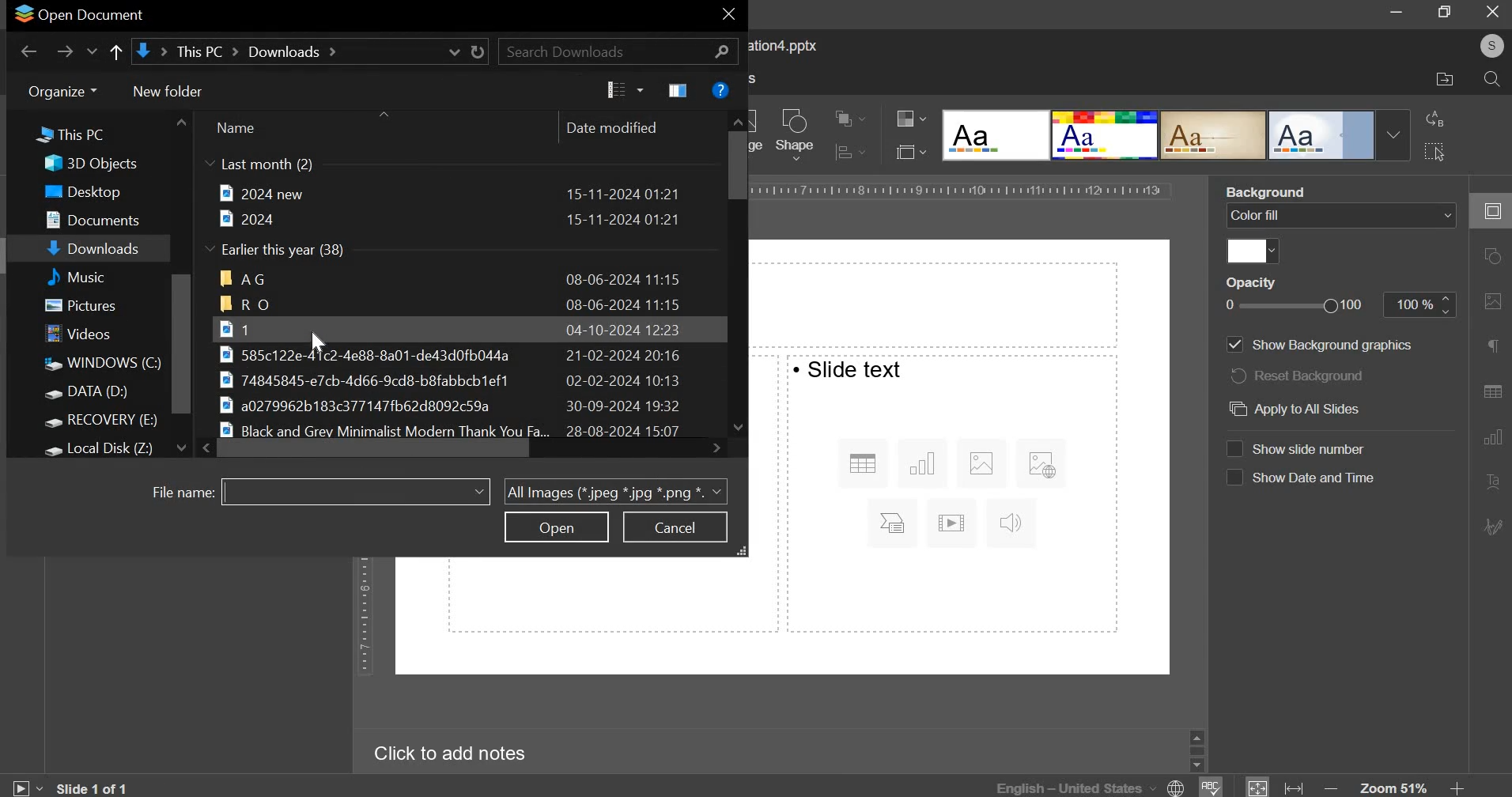 The height and width of the screenshot is (797, 1512). What do you see at coordinates (1393, 788) in the screenshot?
I see `zoom 51%` at bounding box center [1393, 788].